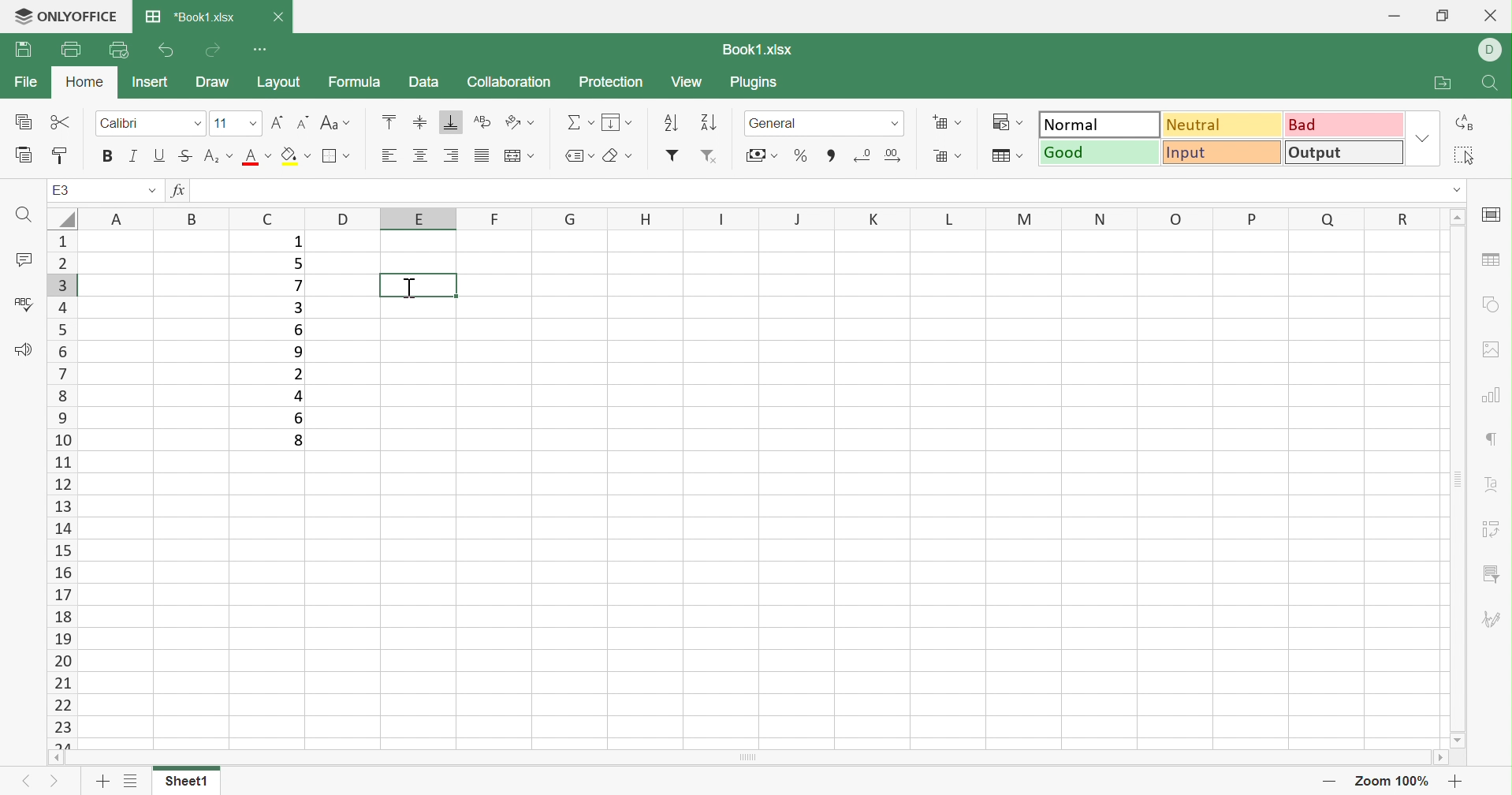 This screenshot has width=1512, height=795. I want to click on Undo, so click(168, 52).